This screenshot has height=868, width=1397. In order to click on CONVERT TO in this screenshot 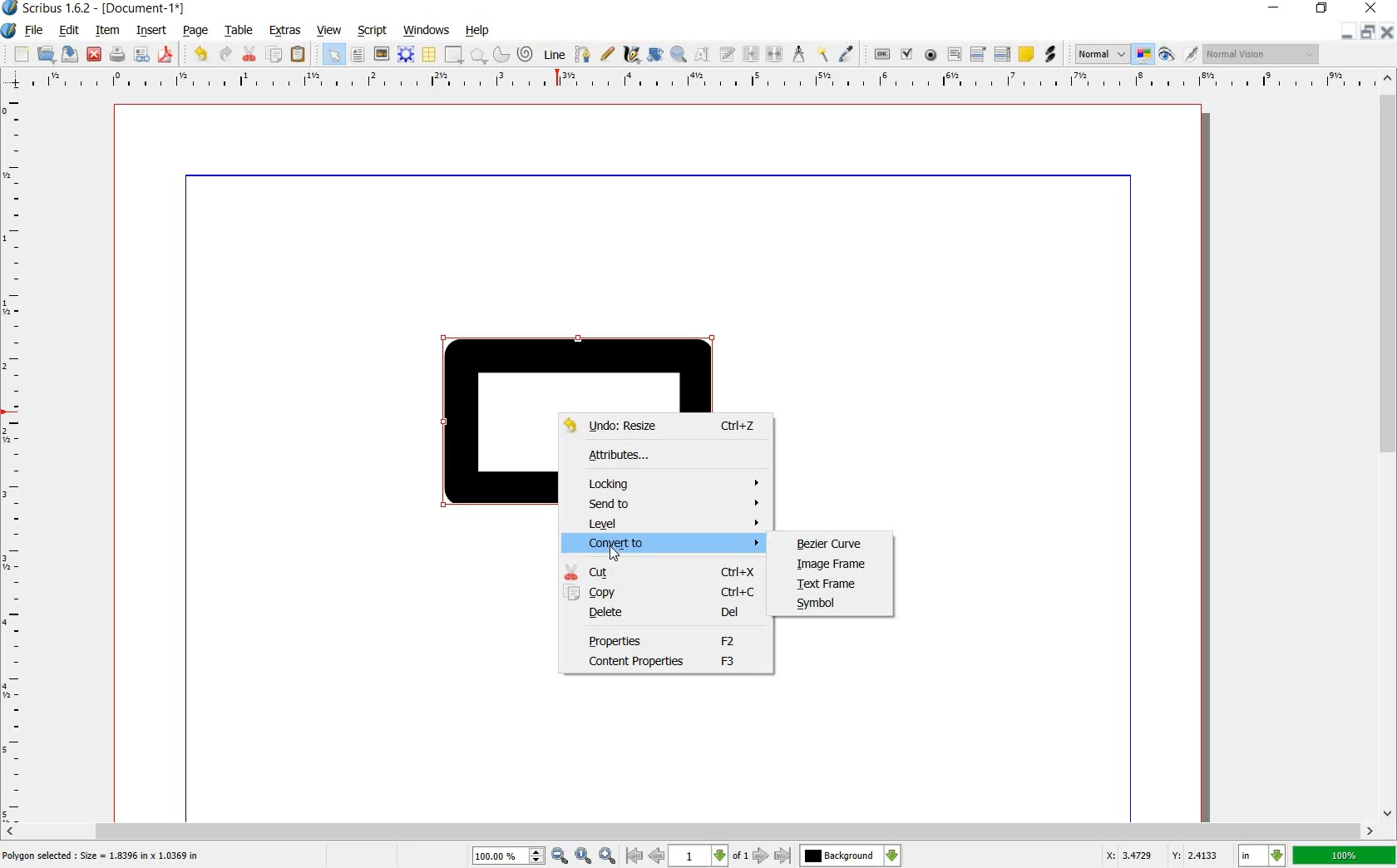, I will do `click(673, 544)`.